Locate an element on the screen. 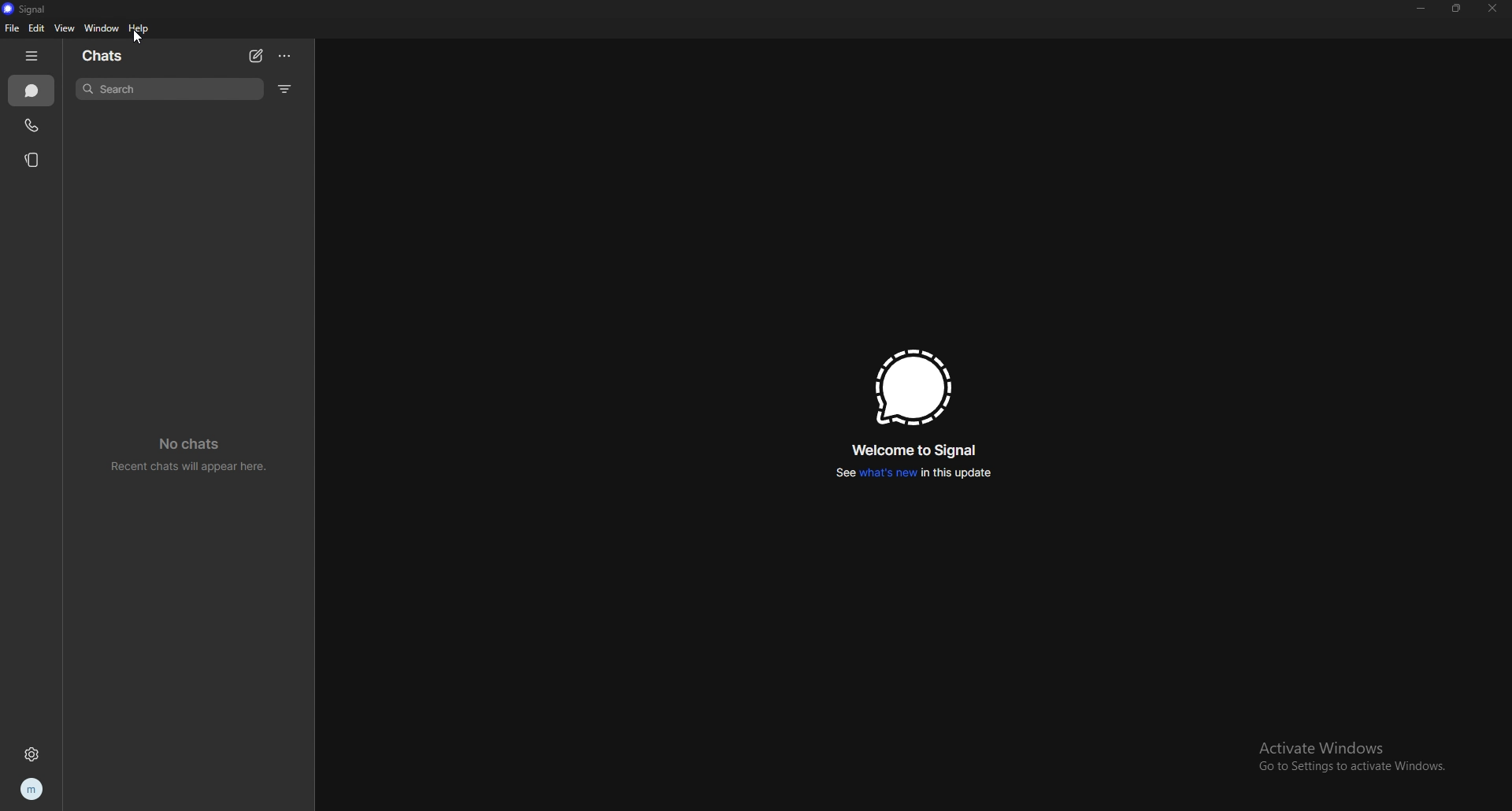 The image size is (1512, 811). window is located at coordinates (102, 28).